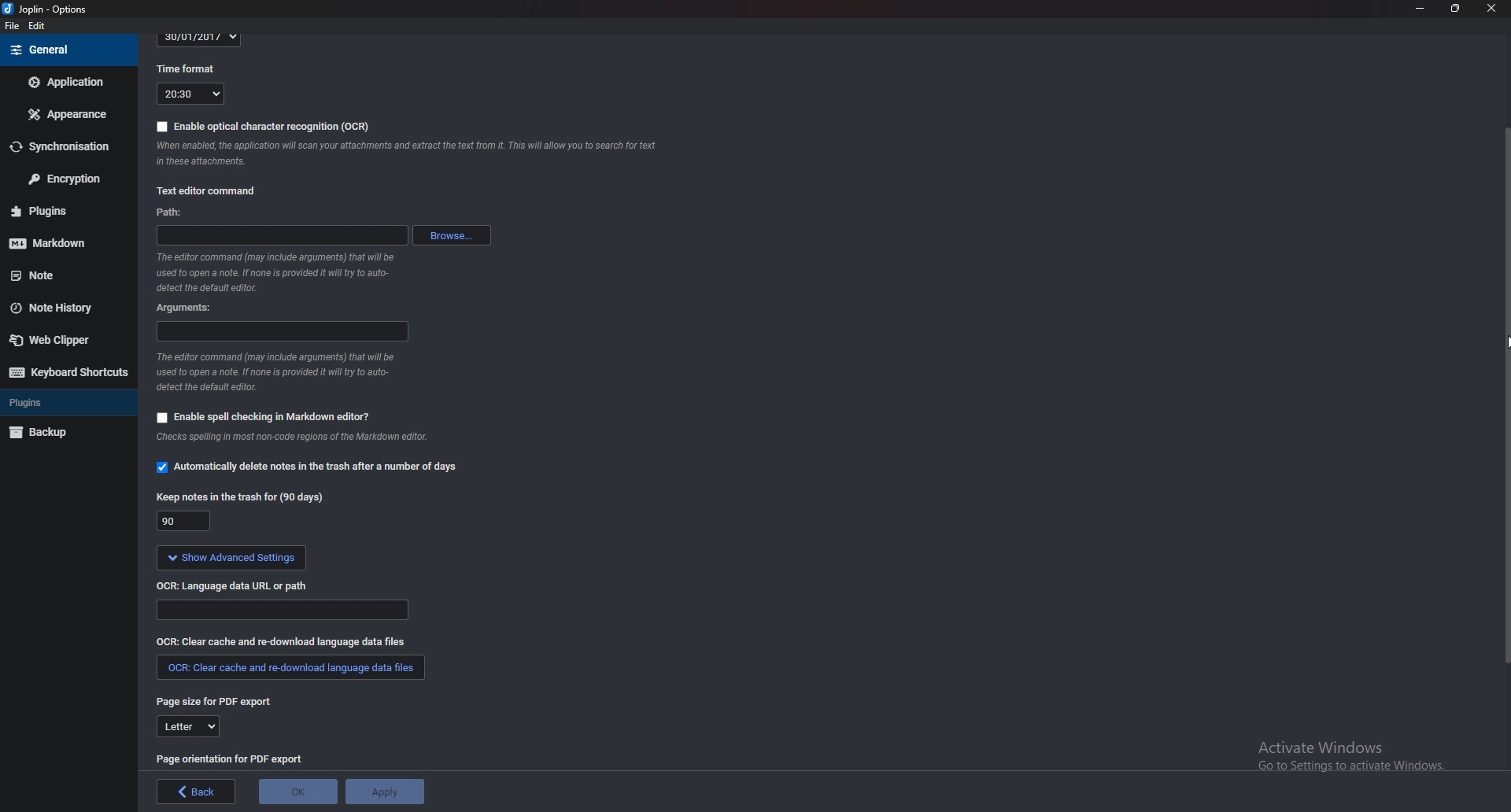 The image size is (1511, 812). What do you see at coordinates (61, 210) in the screenshot?
I see `Plugins` at bounding box center [61, 210].